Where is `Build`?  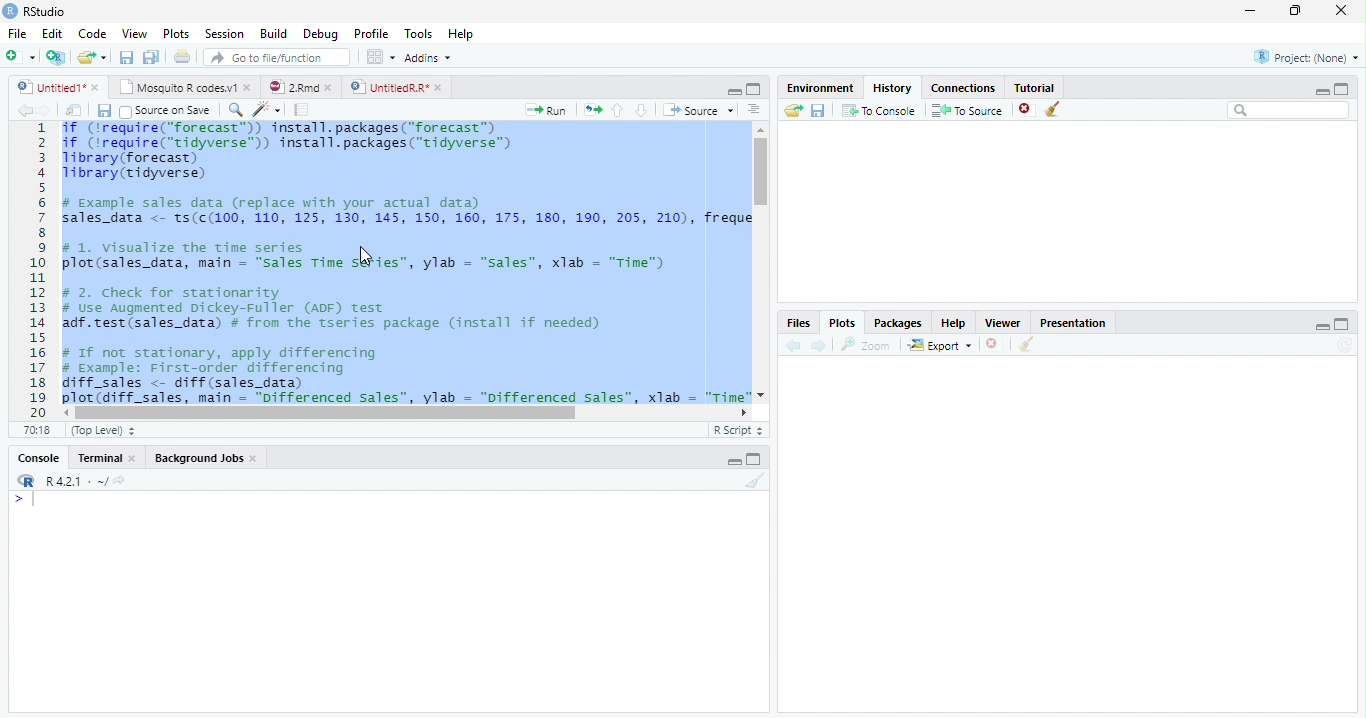 Build is located at coordinates (274, 33).